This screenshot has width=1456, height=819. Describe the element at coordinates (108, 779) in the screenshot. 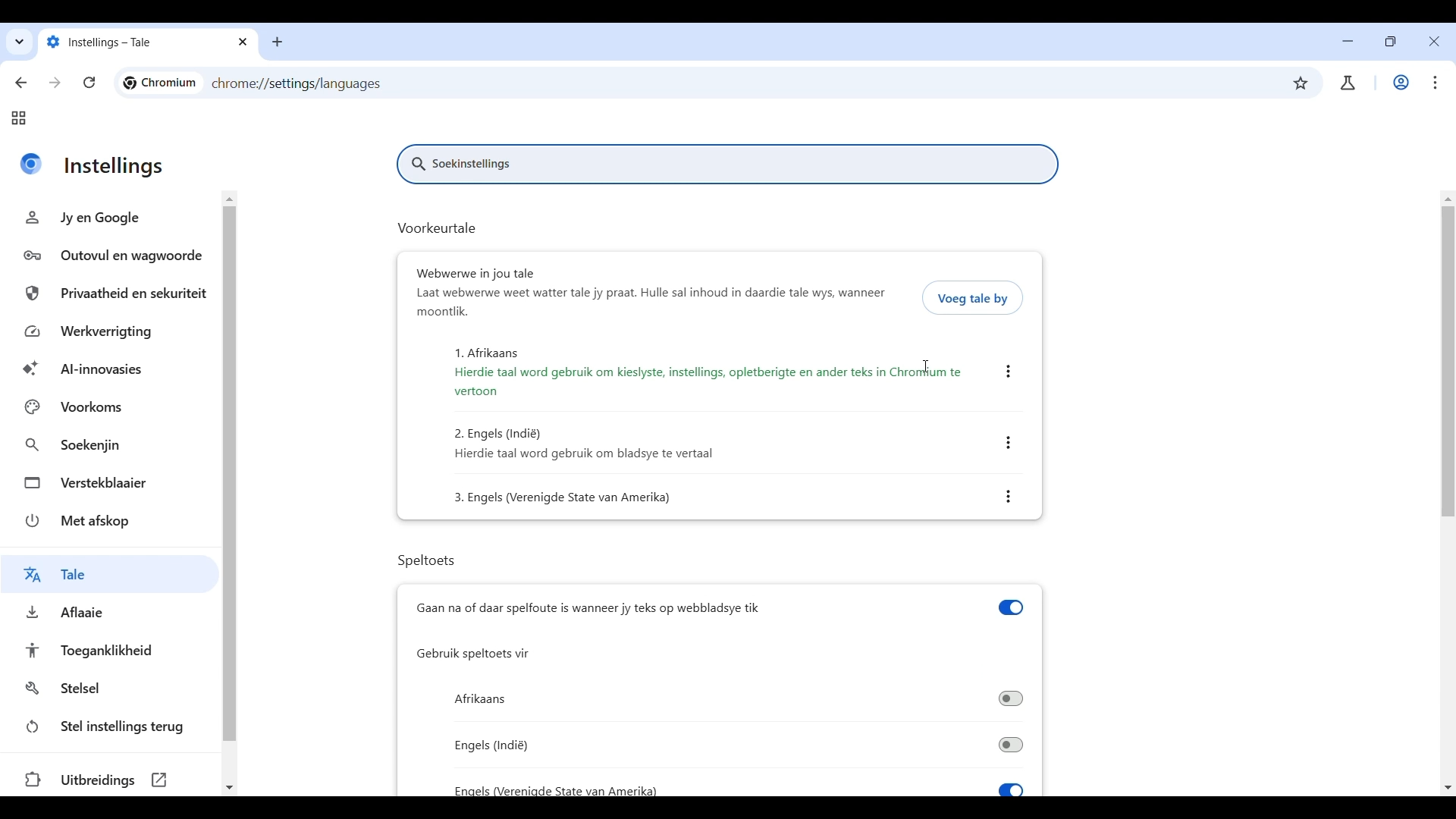

I see `Uitbreidings ` at that location.